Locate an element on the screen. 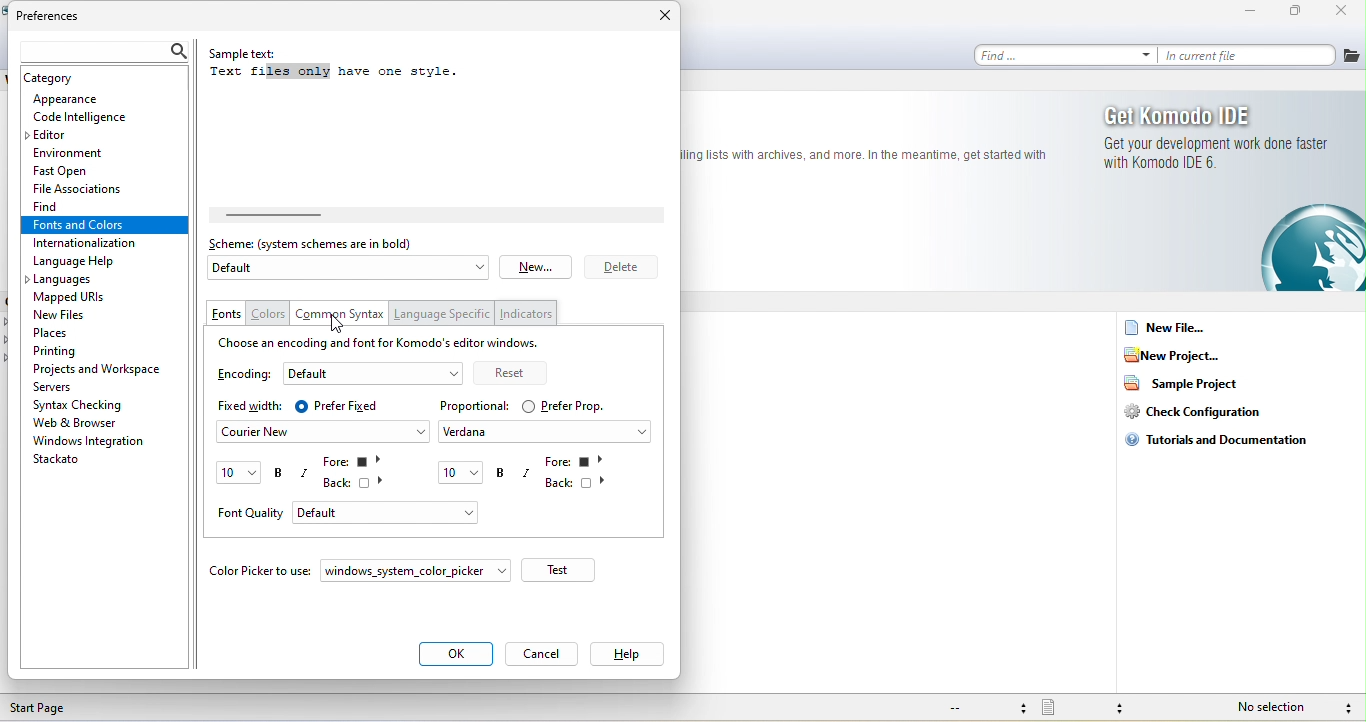 Image resolution: width=1366 pixels, height=722 pixels. appearance is located at coordinates (86, 98).